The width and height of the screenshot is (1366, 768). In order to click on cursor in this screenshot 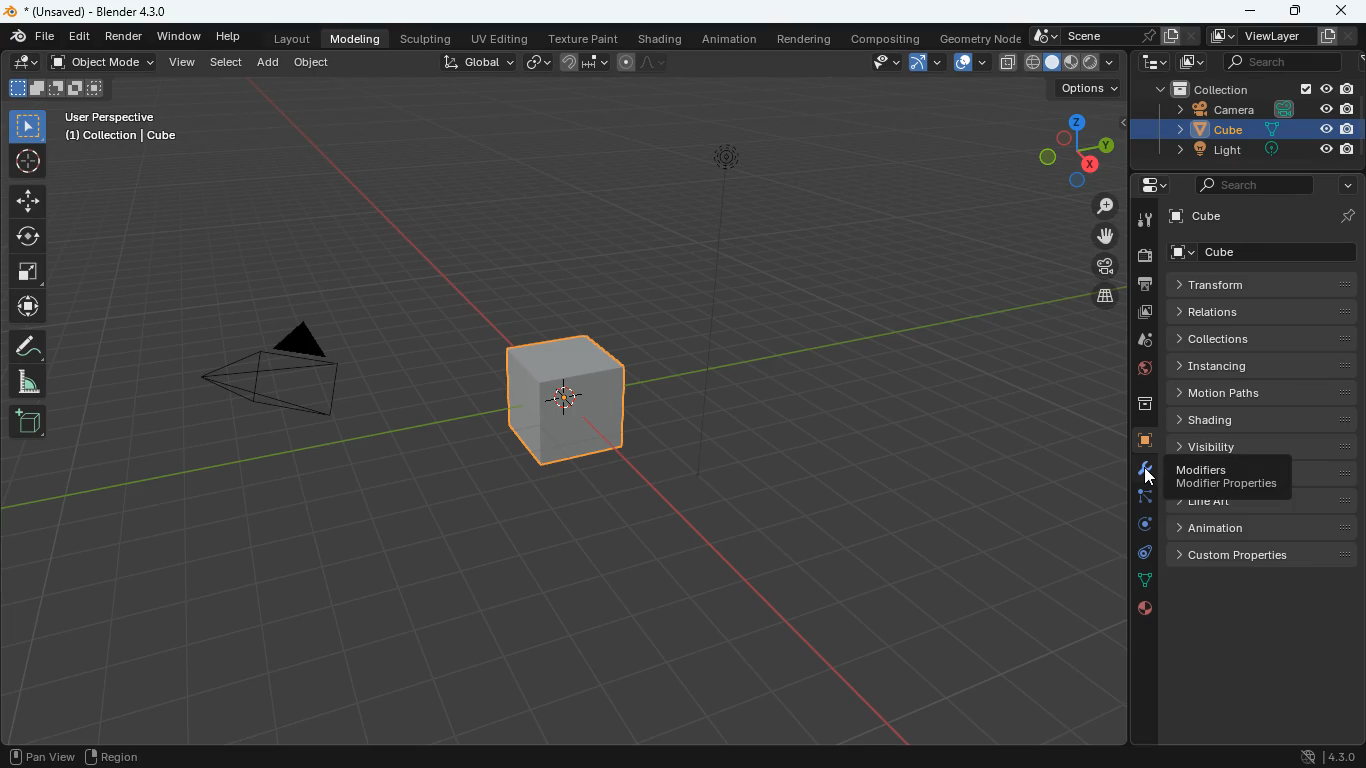, I will do `click(1150, 478)`.